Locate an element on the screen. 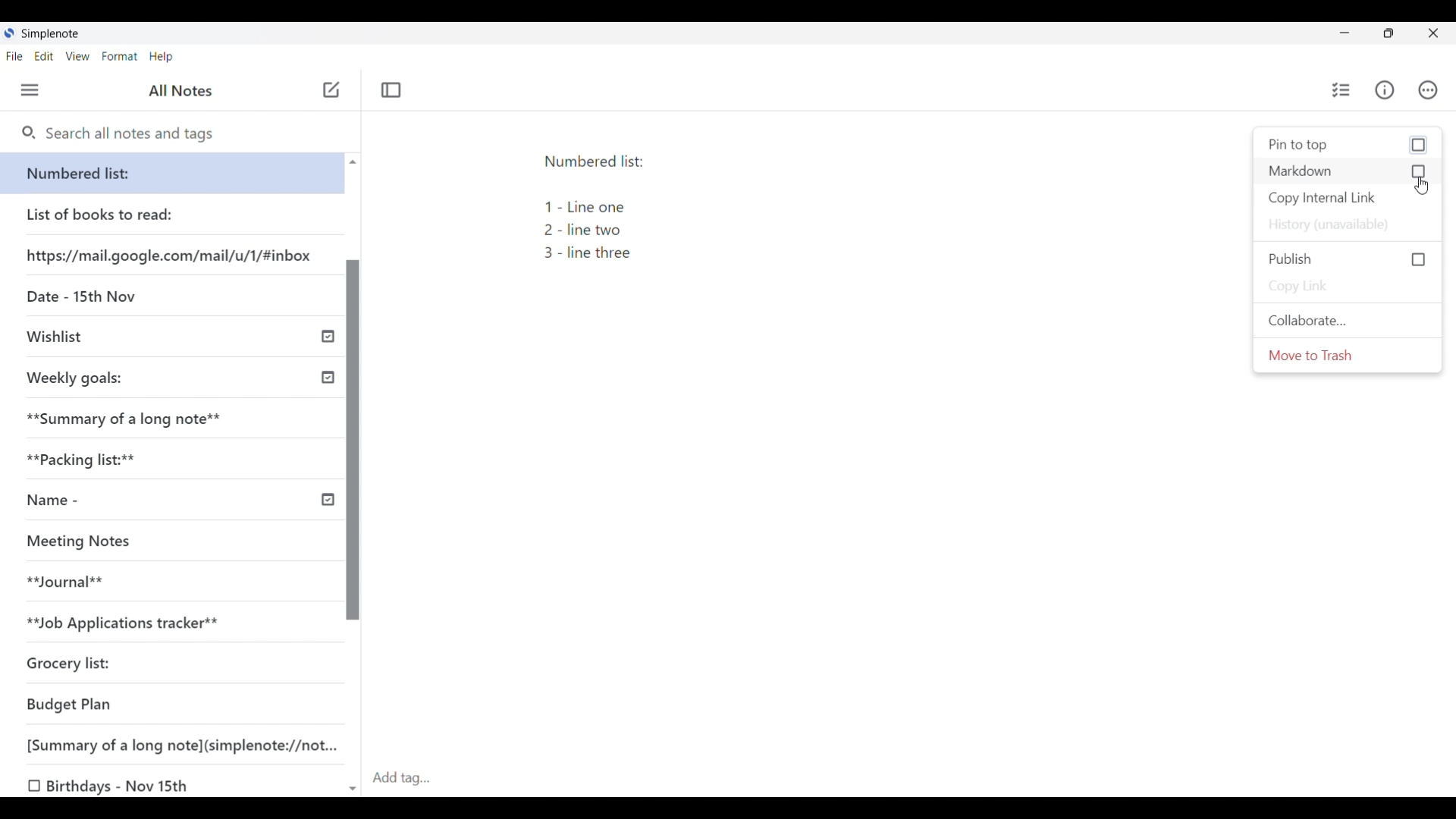 Image resolution: width=1456 pixels, height=819 pixels. Summary of a long note** is located at coordinates (124, 419).